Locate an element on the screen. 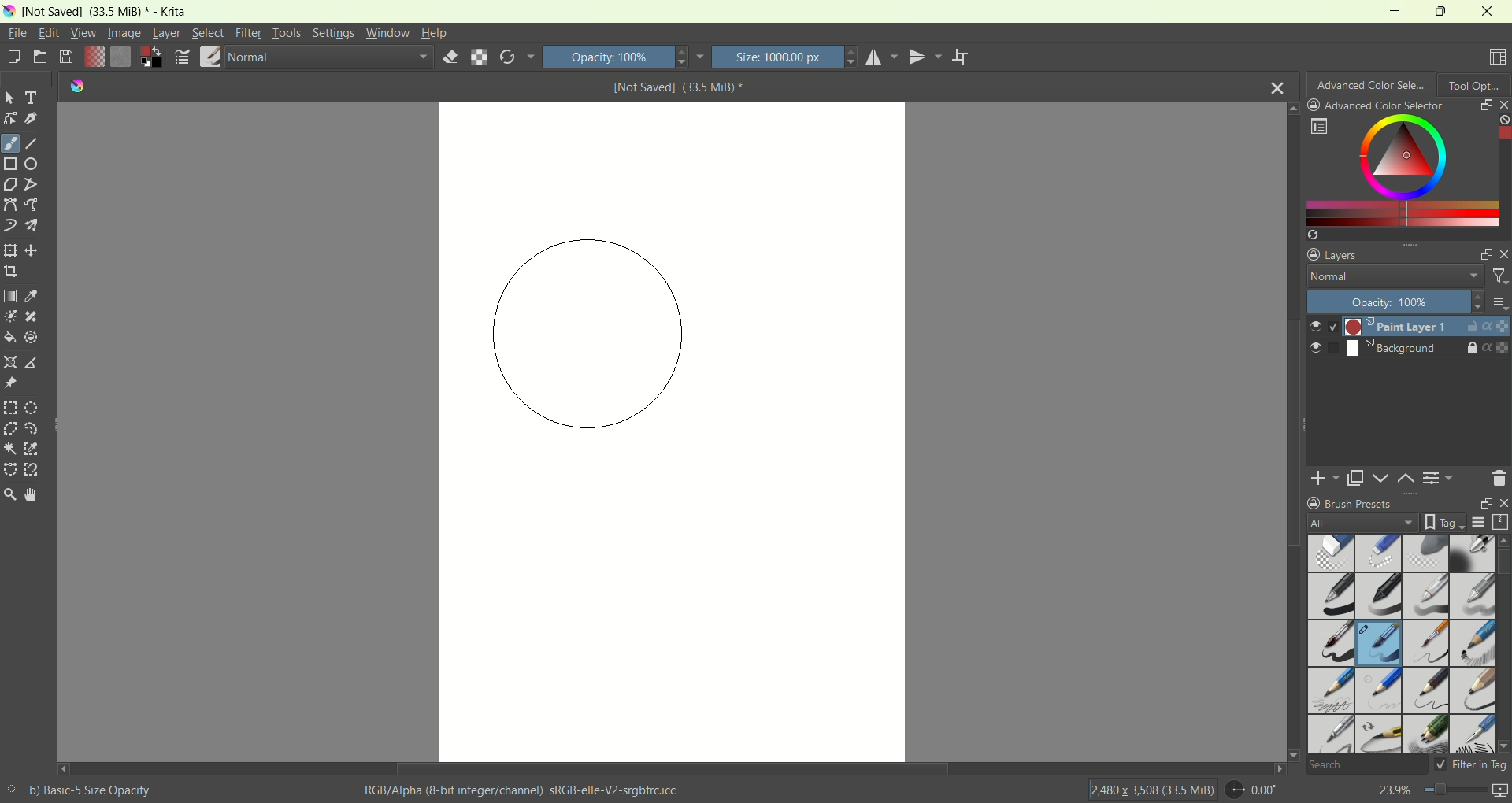 The image size is (1512, 803). basic 5 is located at coordinates (1332, 643).